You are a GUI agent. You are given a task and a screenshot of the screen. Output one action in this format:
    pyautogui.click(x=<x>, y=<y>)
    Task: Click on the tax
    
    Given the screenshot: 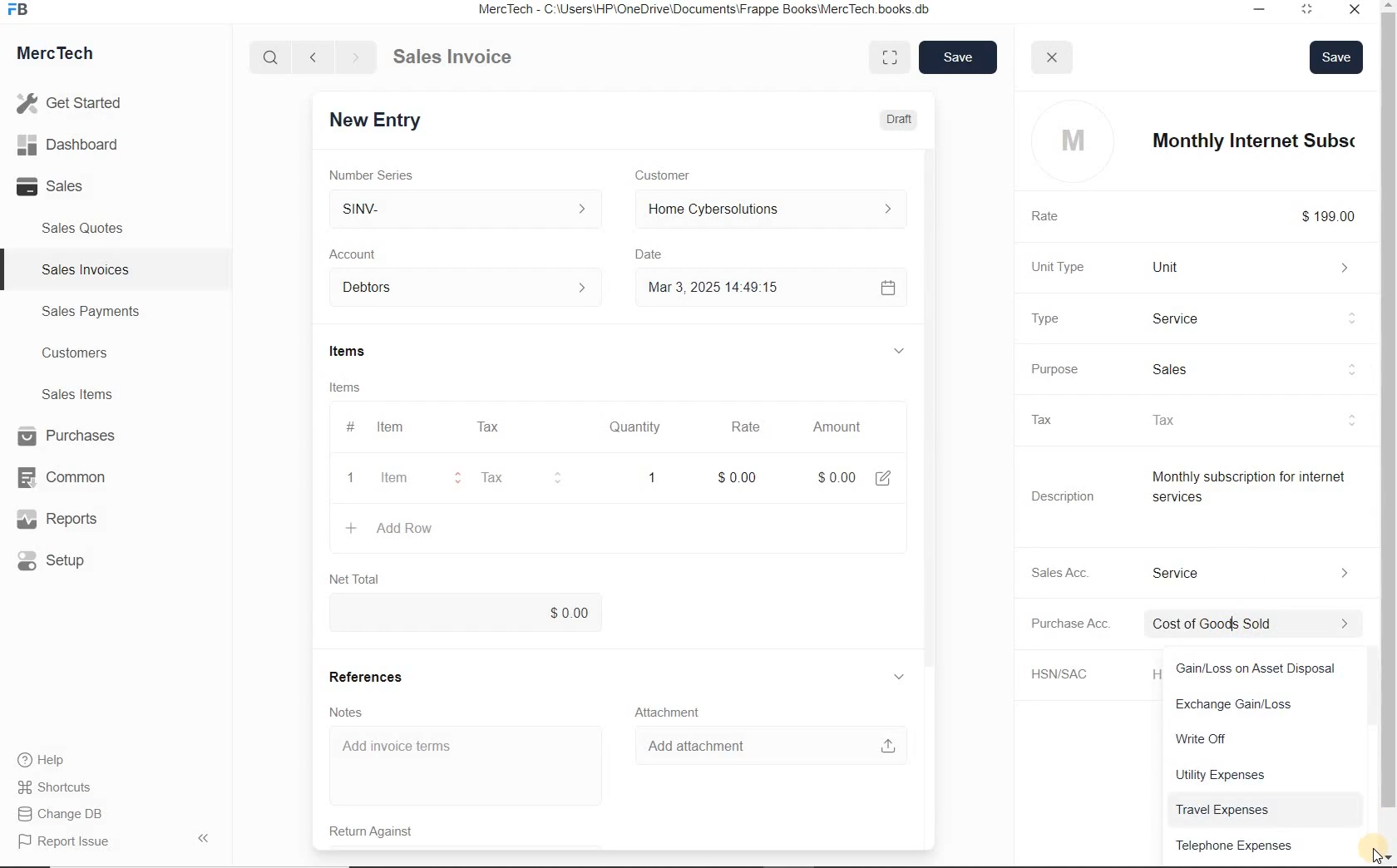 What is the action you would take?
    pyautogui.click(x=1261, y=420)
    